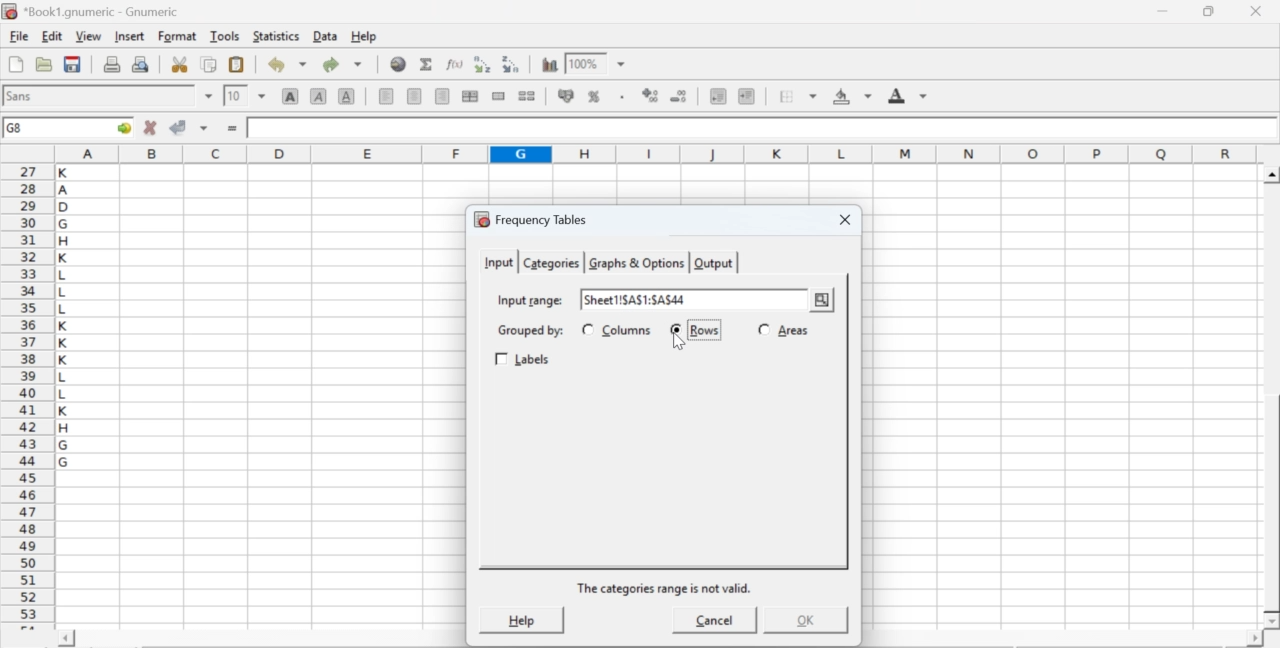  What do you see at coordinates (178, 36) in the screenshot?
I see `format` at bounding box center [178, 36].